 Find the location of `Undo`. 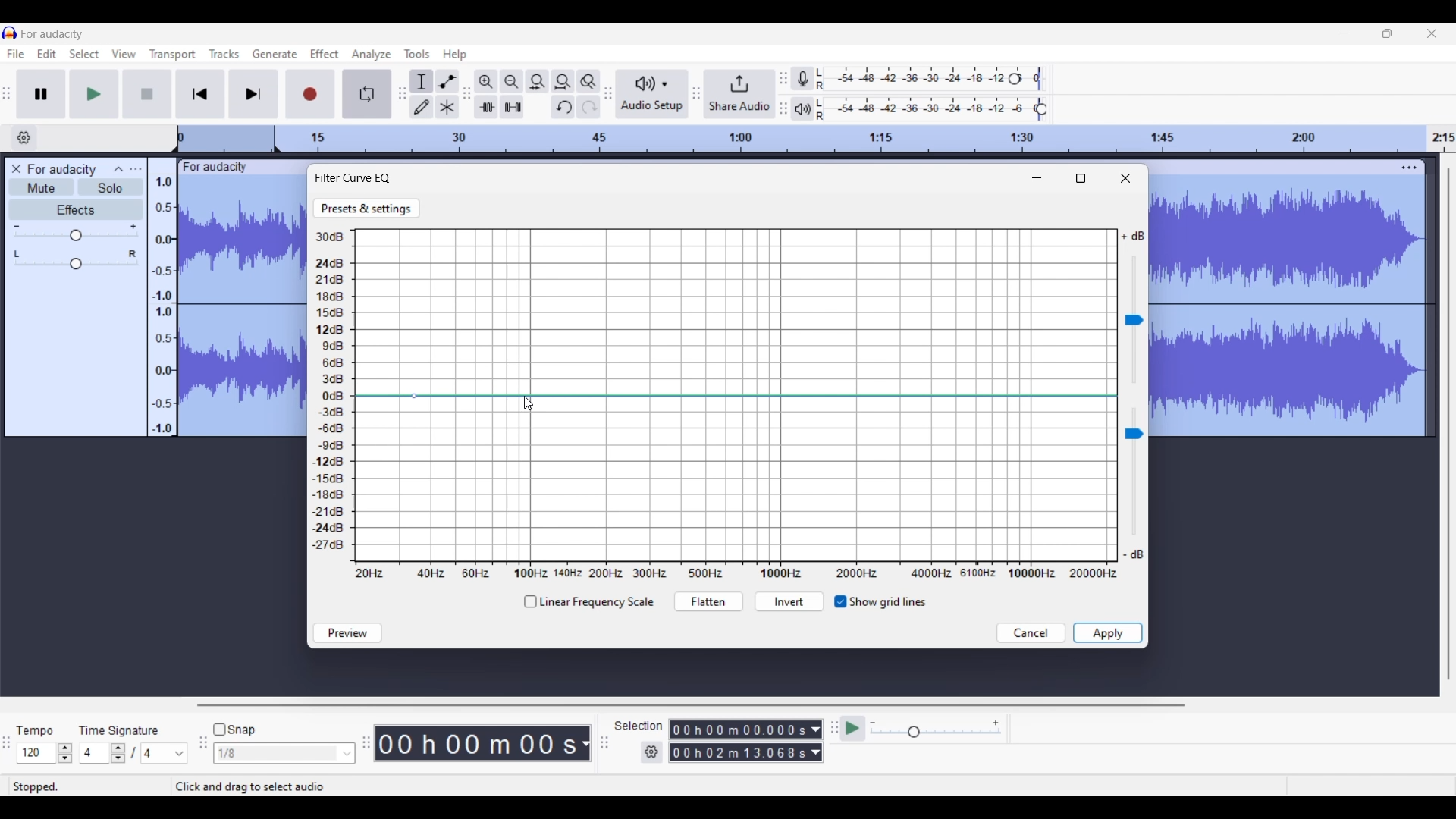

Undo is located at coordinates (563, 106).